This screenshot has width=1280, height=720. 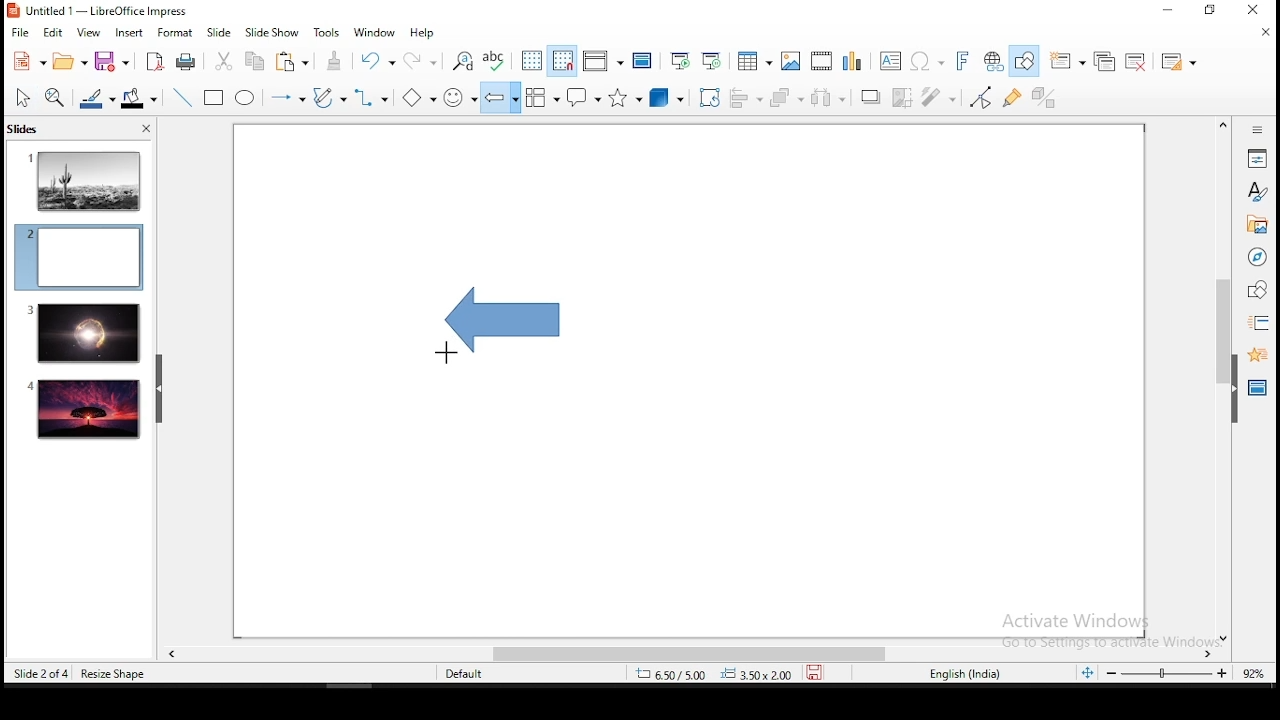 What do you see at coordinates (681, 654) in the screenshot?
I see `scroll bar` at bounding box center [681, 654].